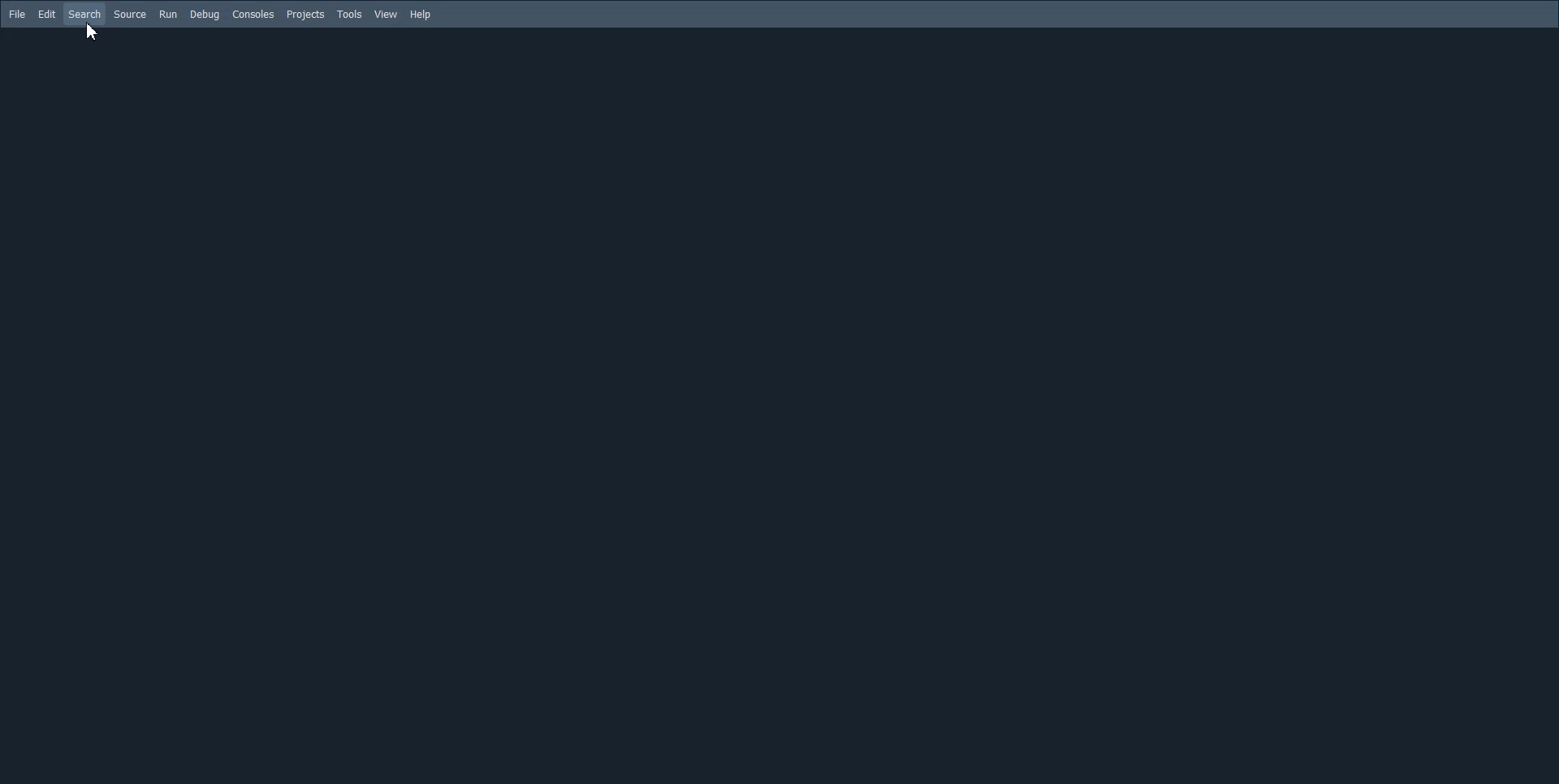 This screenshot has width=1559, height=784. Describe the element at coordinates (84, 15) in the screenshot. I see `Search` at that location.